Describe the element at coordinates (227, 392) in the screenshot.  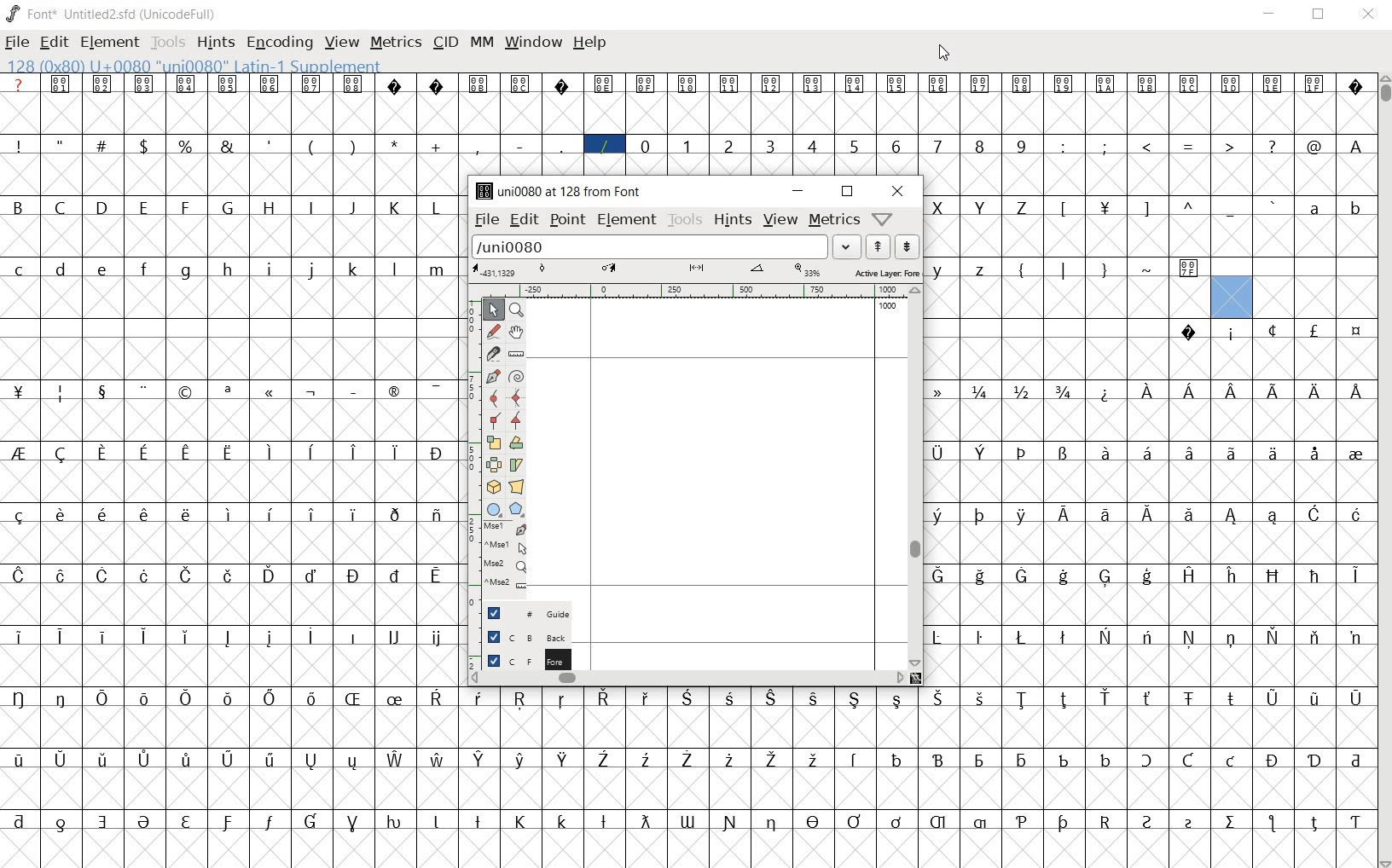
I see `glyph` at that location.